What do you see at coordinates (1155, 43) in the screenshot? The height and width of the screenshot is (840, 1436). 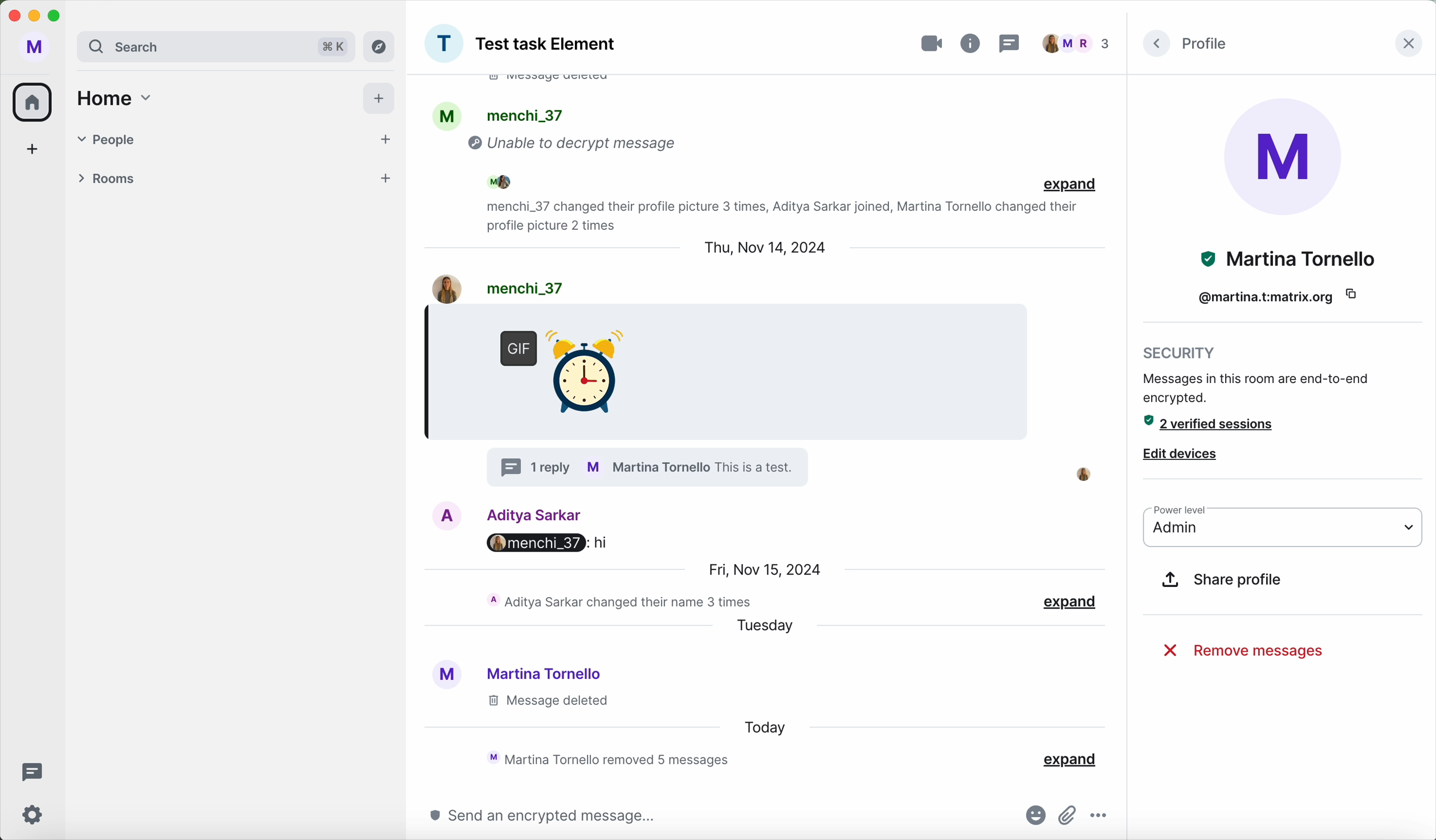 I see `navigate back` at bounding box center [1155, 43].